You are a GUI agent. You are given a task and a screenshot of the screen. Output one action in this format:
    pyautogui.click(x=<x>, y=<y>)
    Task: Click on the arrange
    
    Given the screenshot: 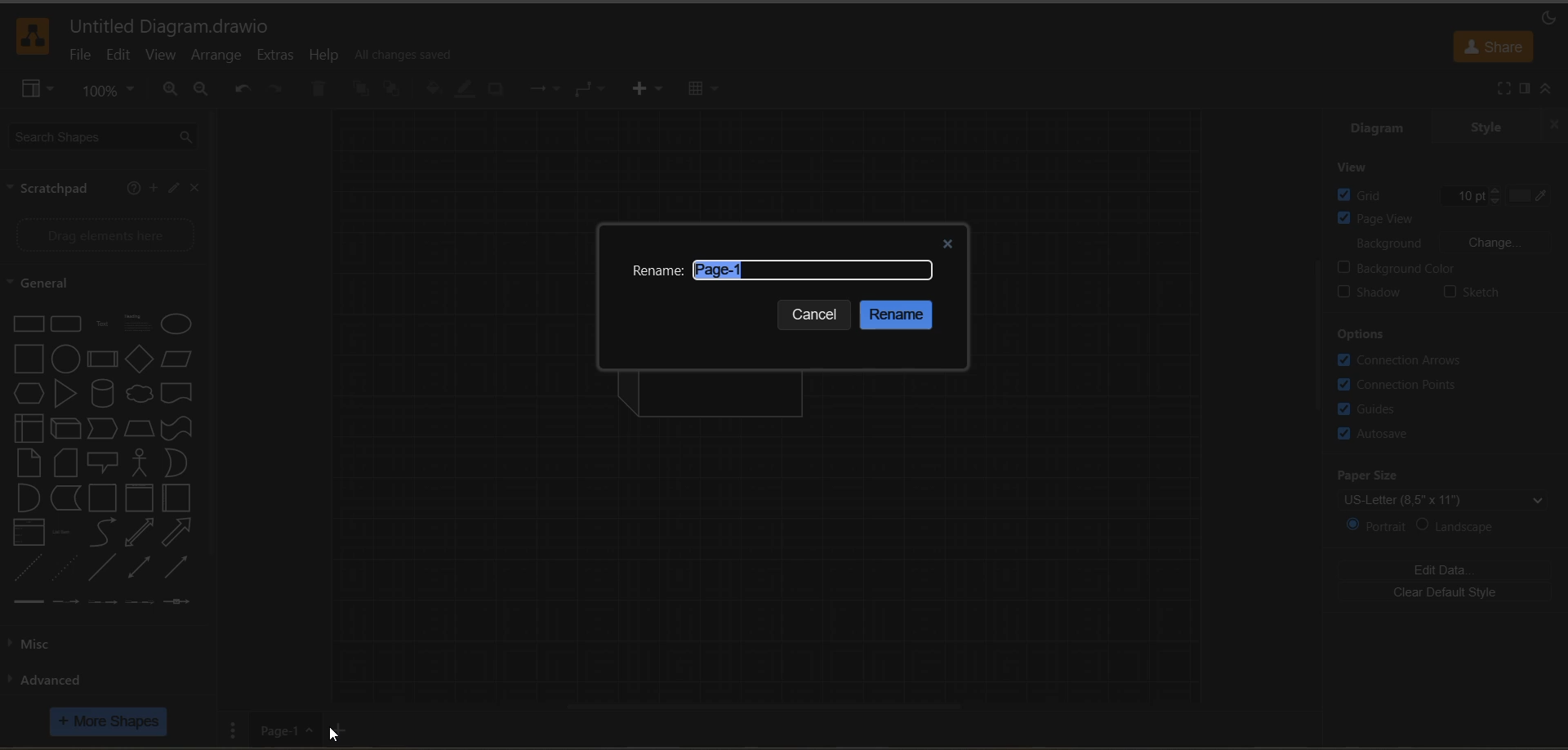 What is the action you would take?
    pyautogui.click(x=221, y=57)
    